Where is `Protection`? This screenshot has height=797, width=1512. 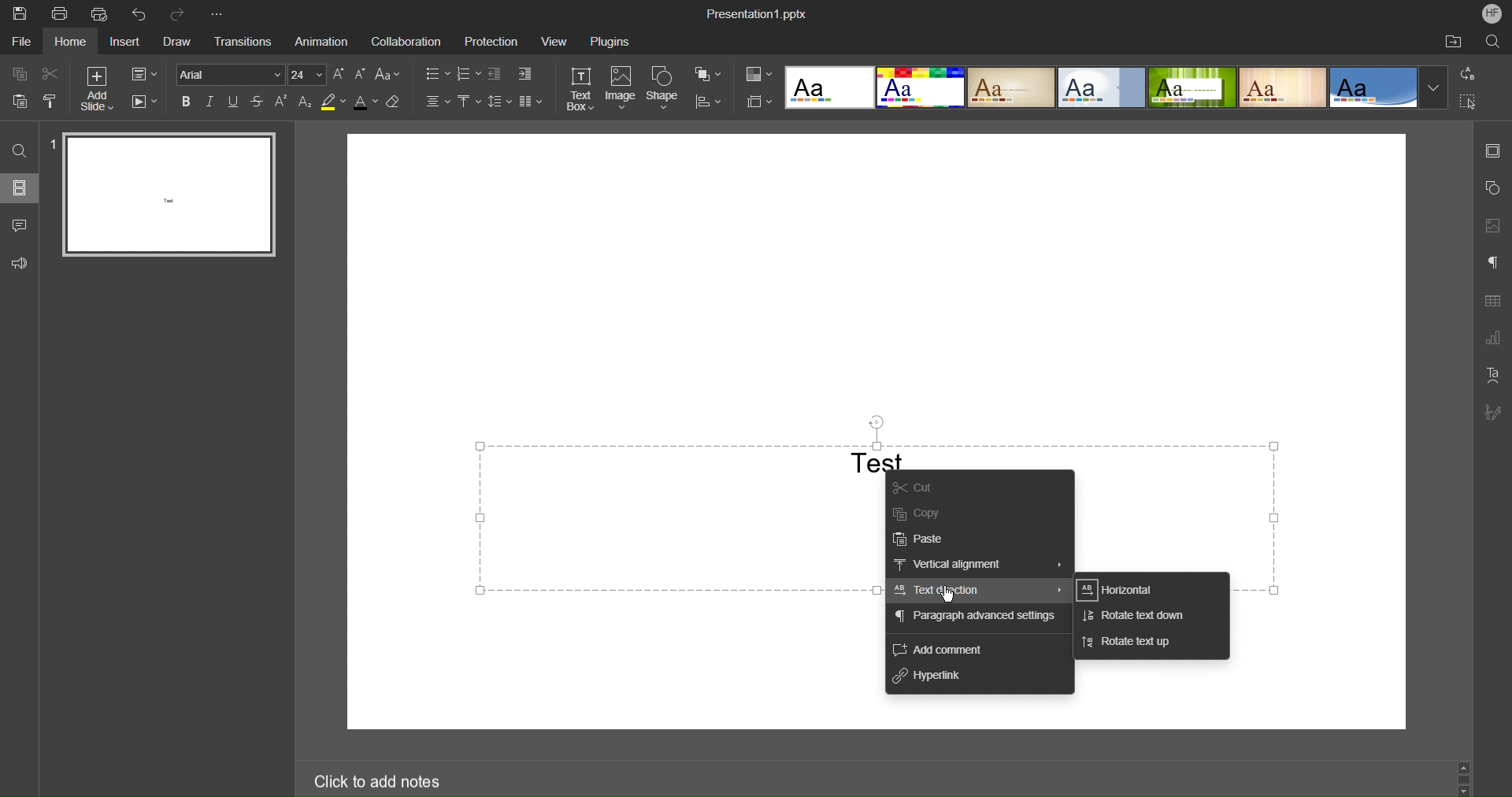
Protection is located at coordinates (487, 40).